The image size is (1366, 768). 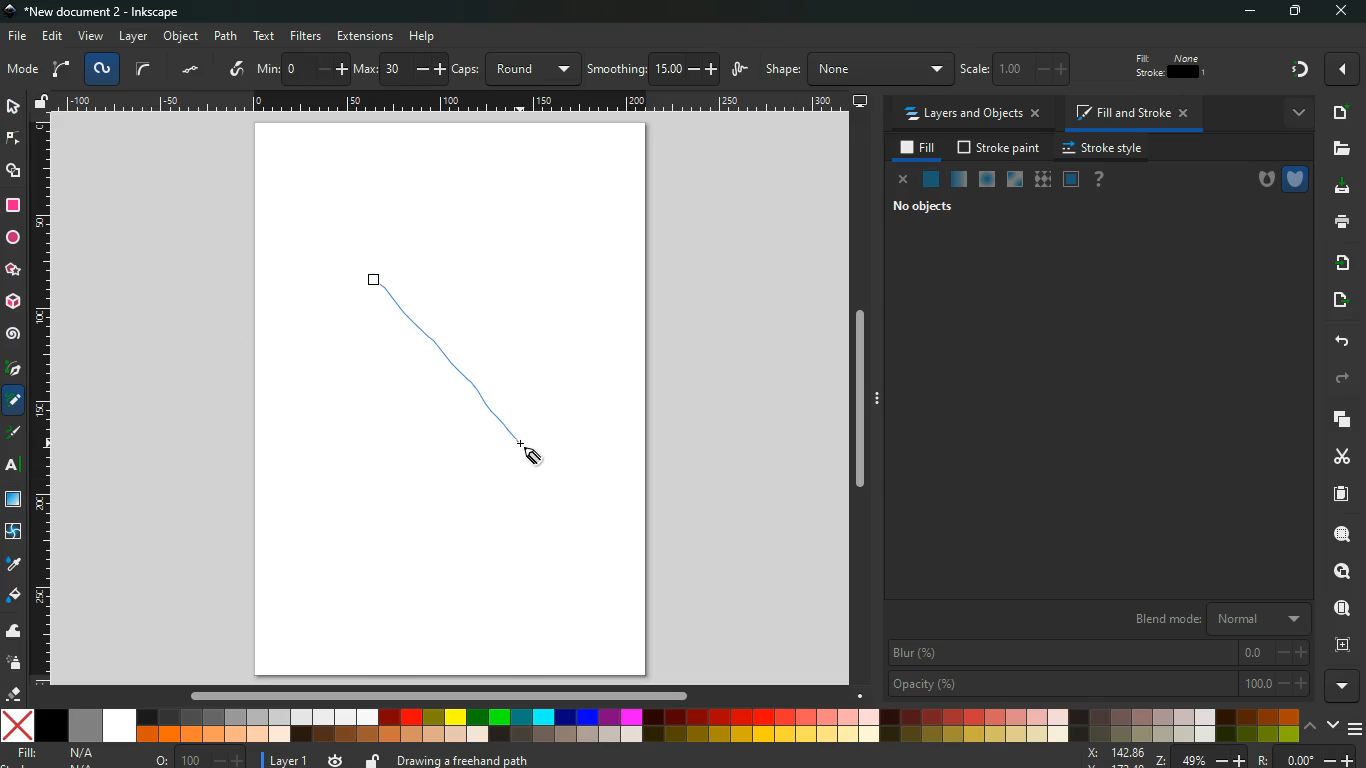 What do you see at coordinates (1332, 725) in the screenshot?
I see `down` at bounding box center [1332, 725].